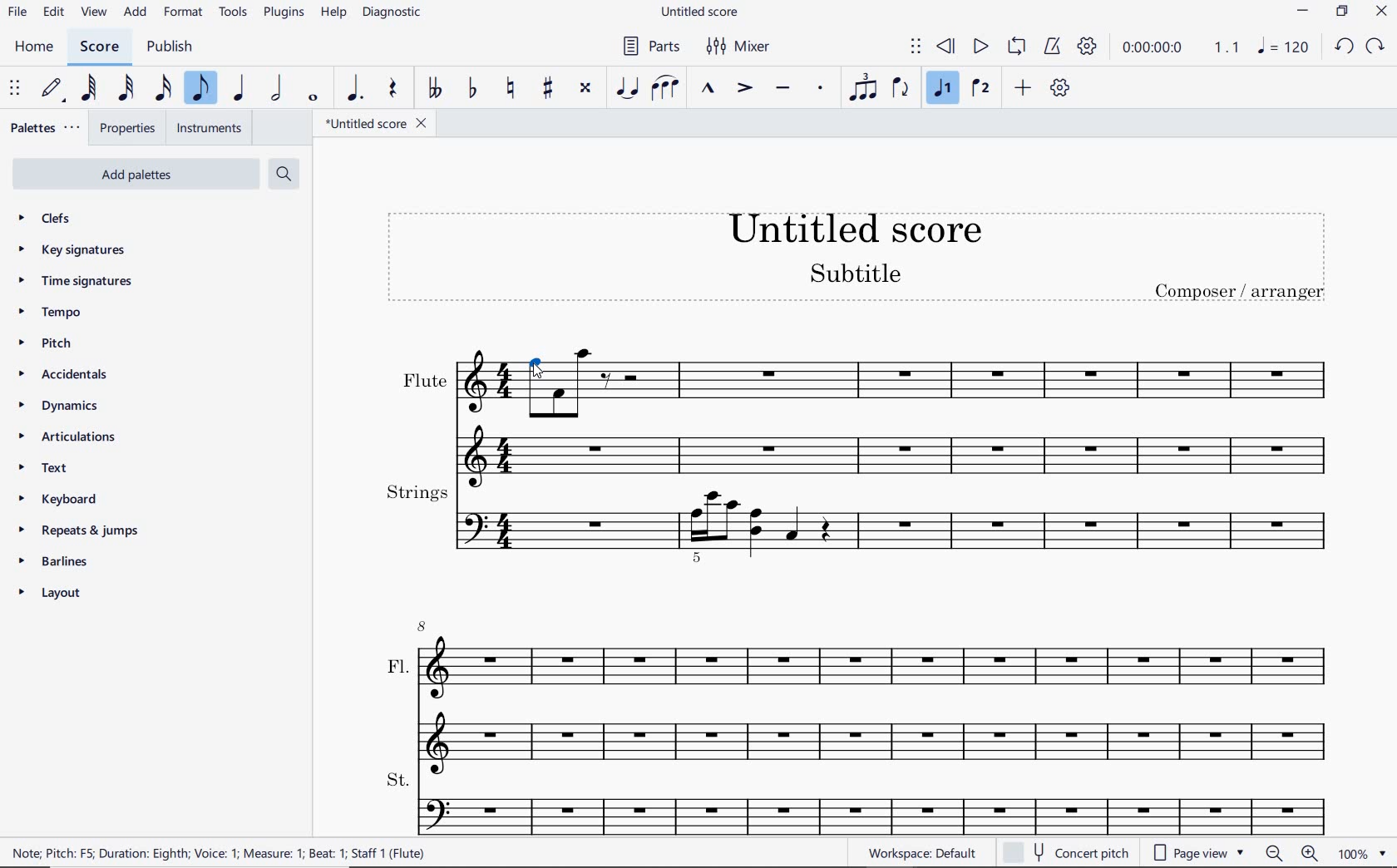 This screenshot has width=1397, height=868. Describe the element at coordinates (51, 595) in the screenshot. I see `layout` at that location.